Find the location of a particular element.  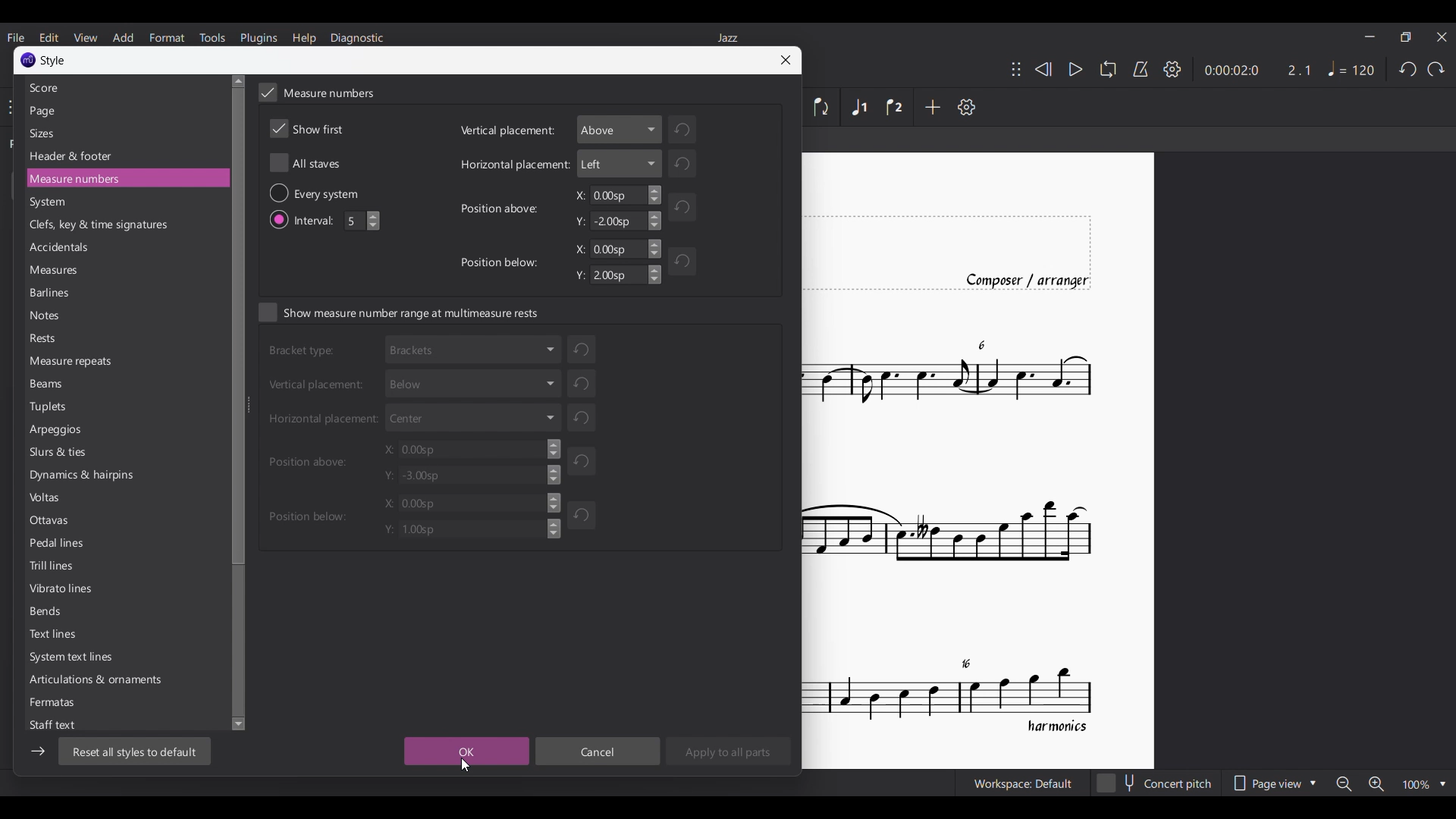

Cancel is located at coordinates (598, 751).